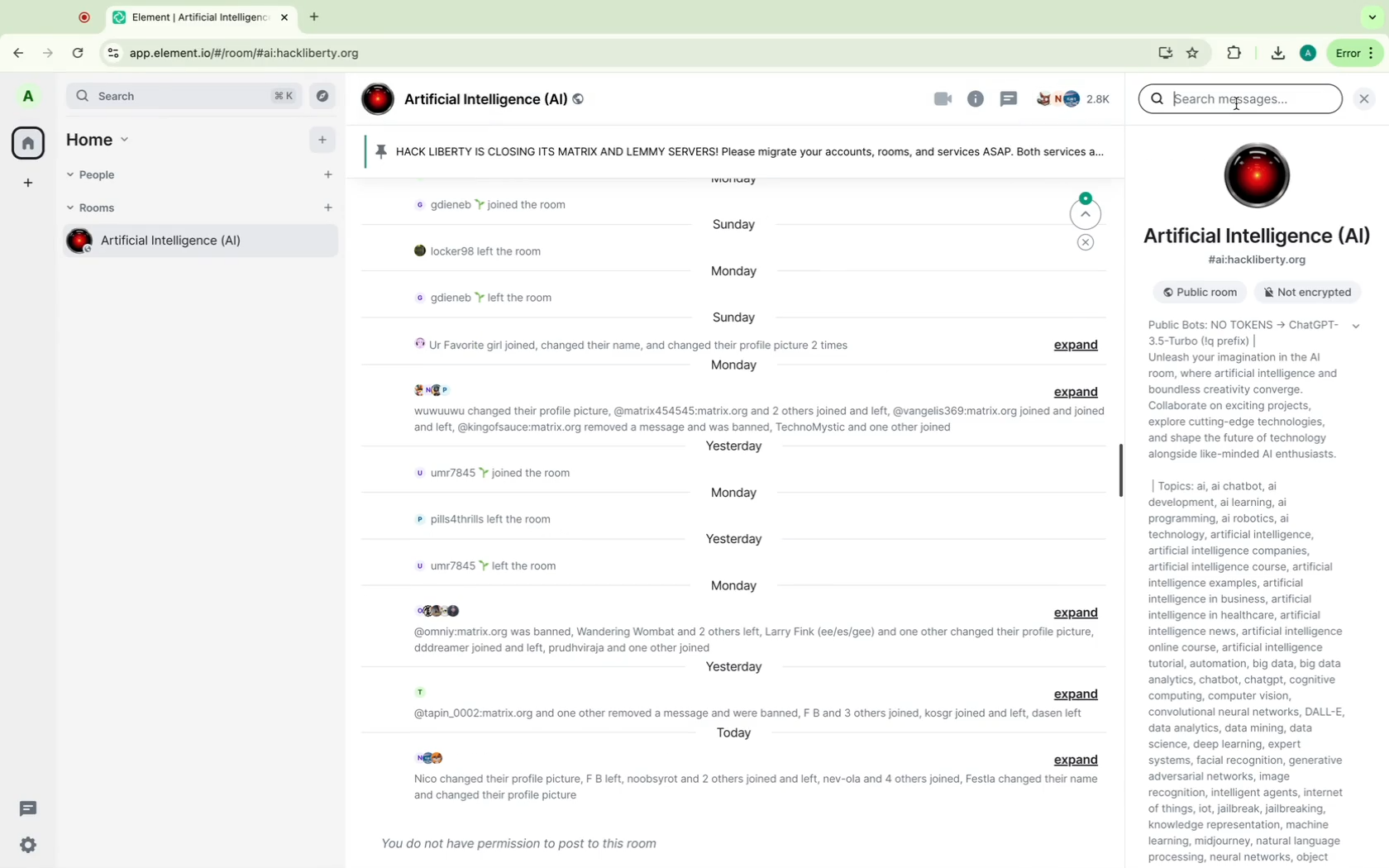 The width and height of the screenshot is (1389, 868). Describe the element at coordinates (445, 608) in the screenshot. I see `pictures` at that location.